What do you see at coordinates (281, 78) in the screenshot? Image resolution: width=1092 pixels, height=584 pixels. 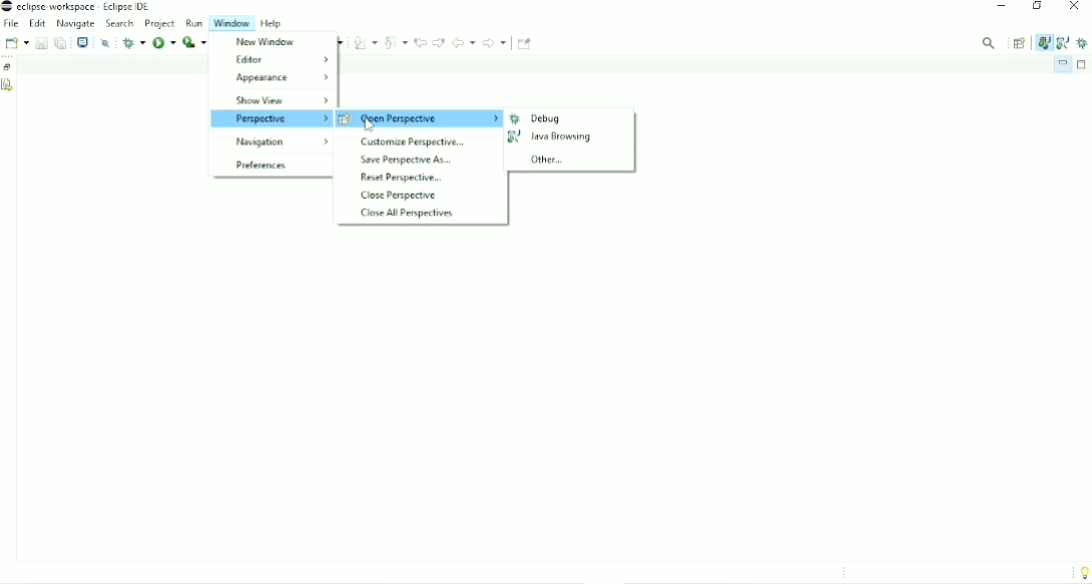 I see `Appearance` at bounding box center [281, 78].